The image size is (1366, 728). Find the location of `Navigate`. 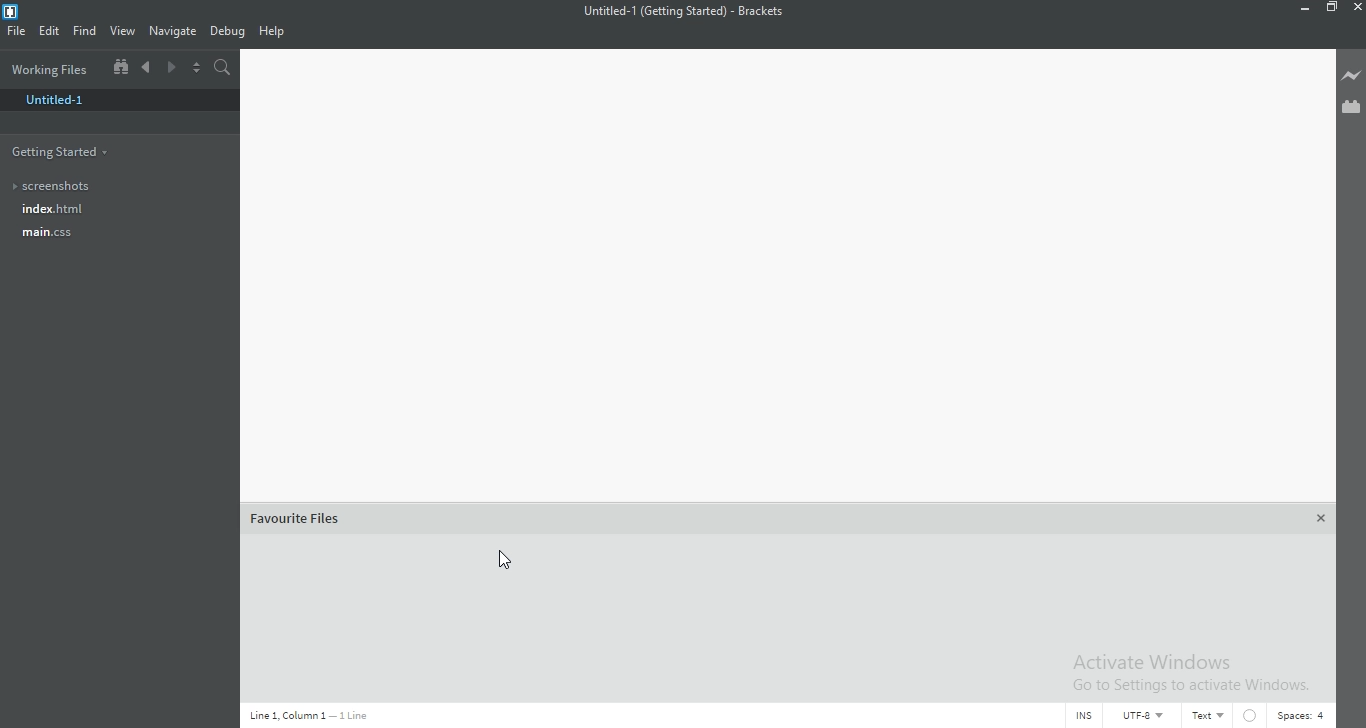

Navigate is located at coordinates (175, 30).